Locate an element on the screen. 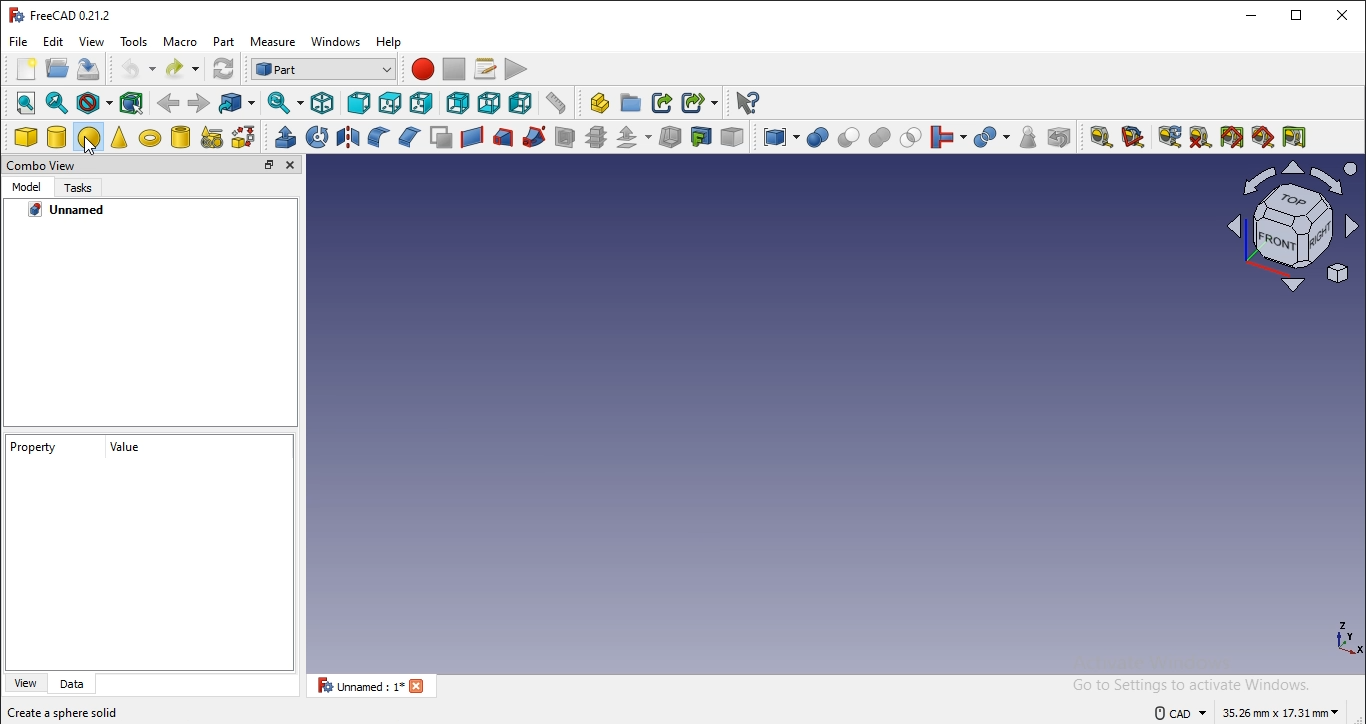  tasks is located at coordinates (83, 190).